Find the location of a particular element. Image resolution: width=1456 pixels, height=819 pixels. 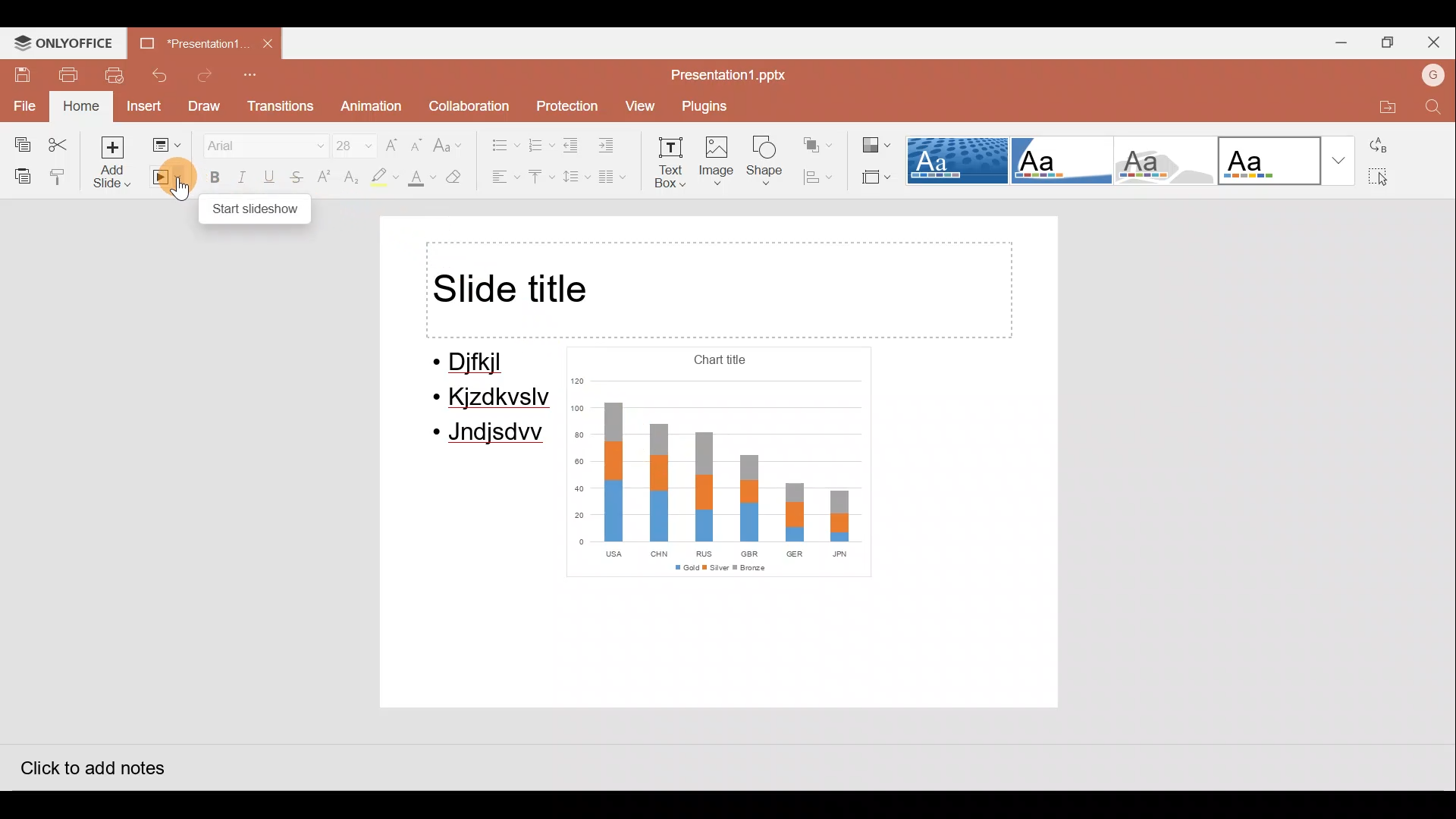

Highlight colour is located at coordinates (385, 177).